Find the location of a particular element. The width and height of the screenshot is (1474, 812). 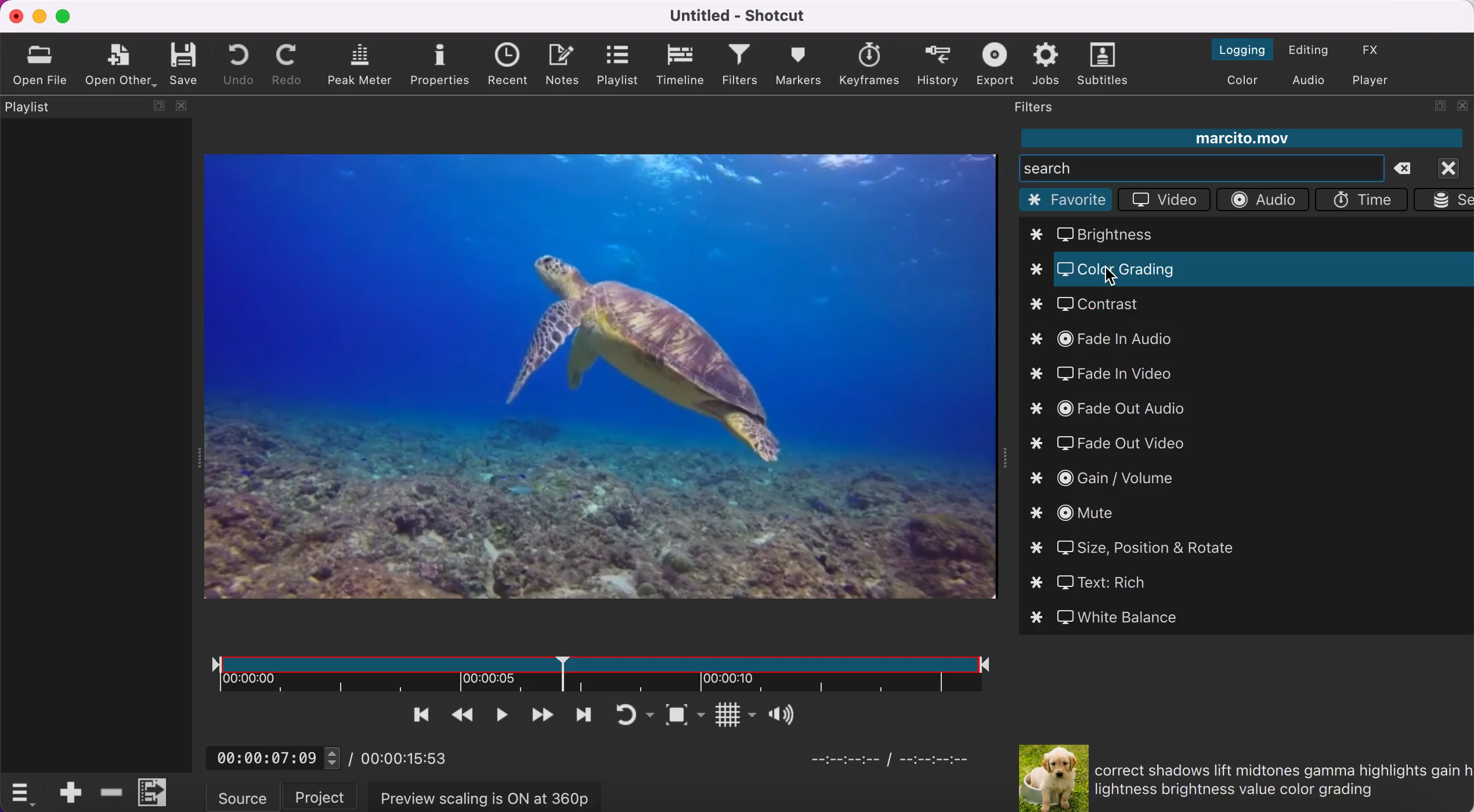

switch to the editing layout is located at coordinates (1312, 50).